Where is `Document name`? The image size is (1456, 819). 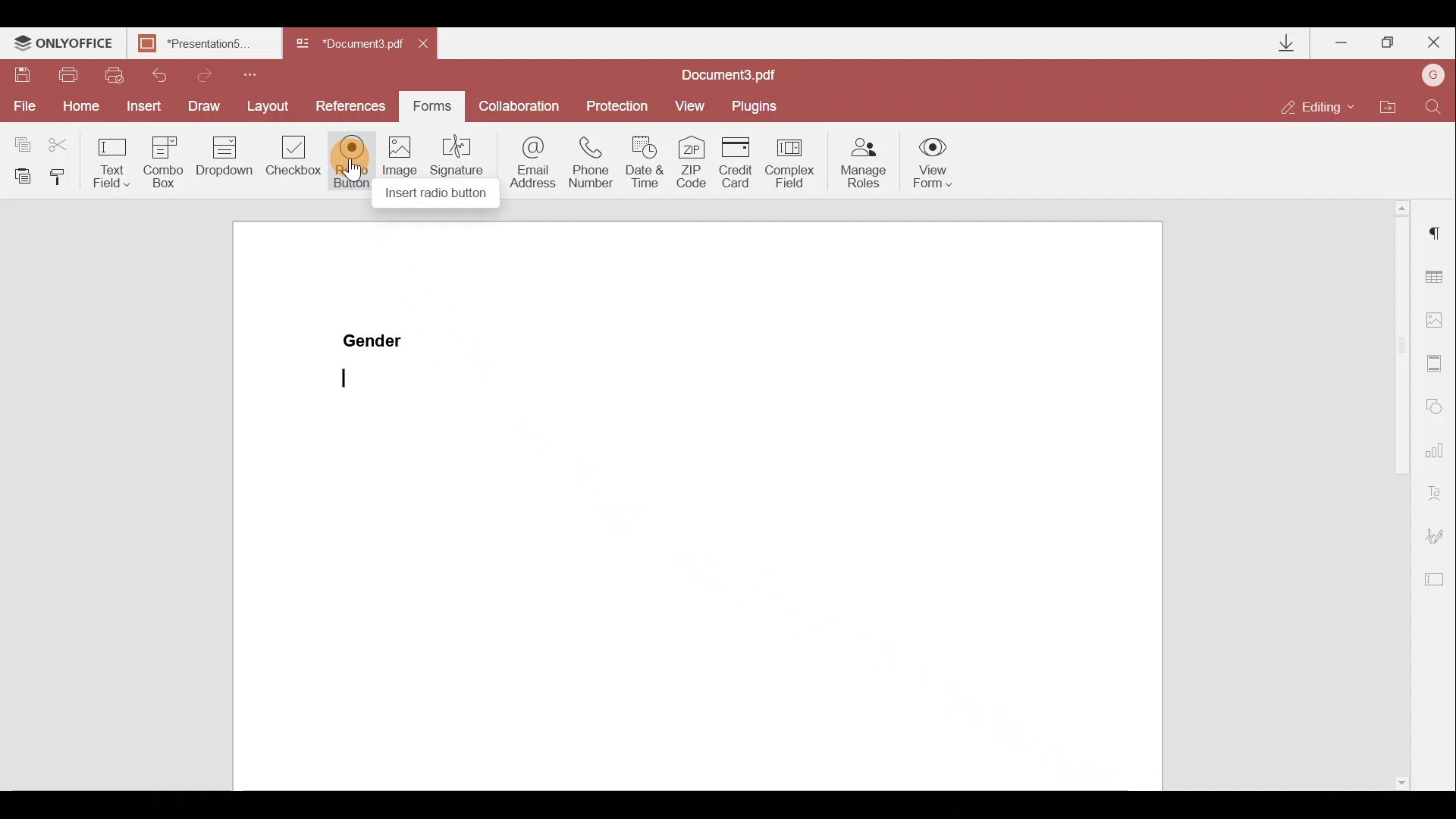 Document name is located at coordinates (352, 44).